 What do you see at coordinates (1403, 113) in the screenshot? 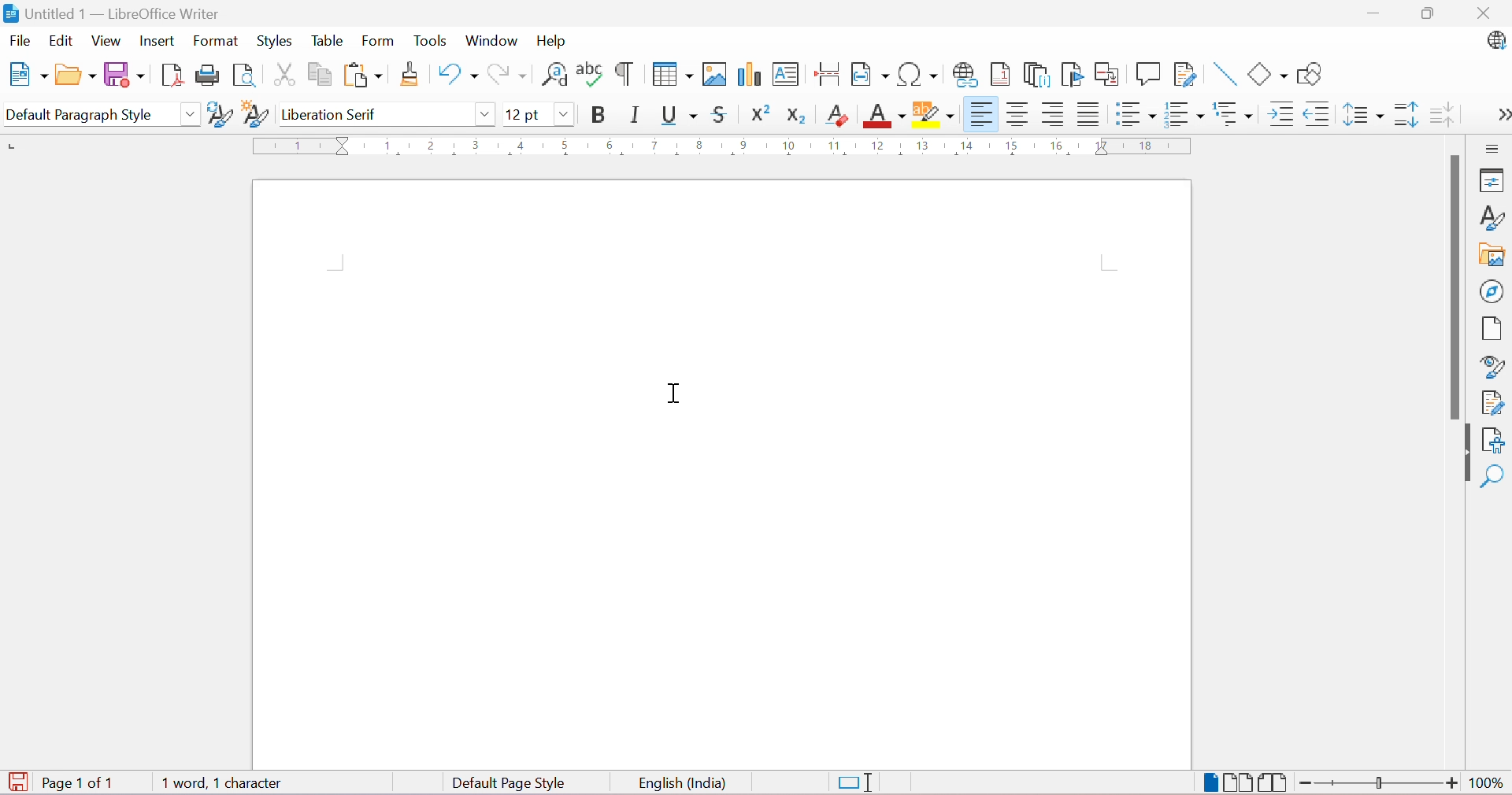
I see `Increase Paragraph Spacing` at bounding box center [1403, 113].